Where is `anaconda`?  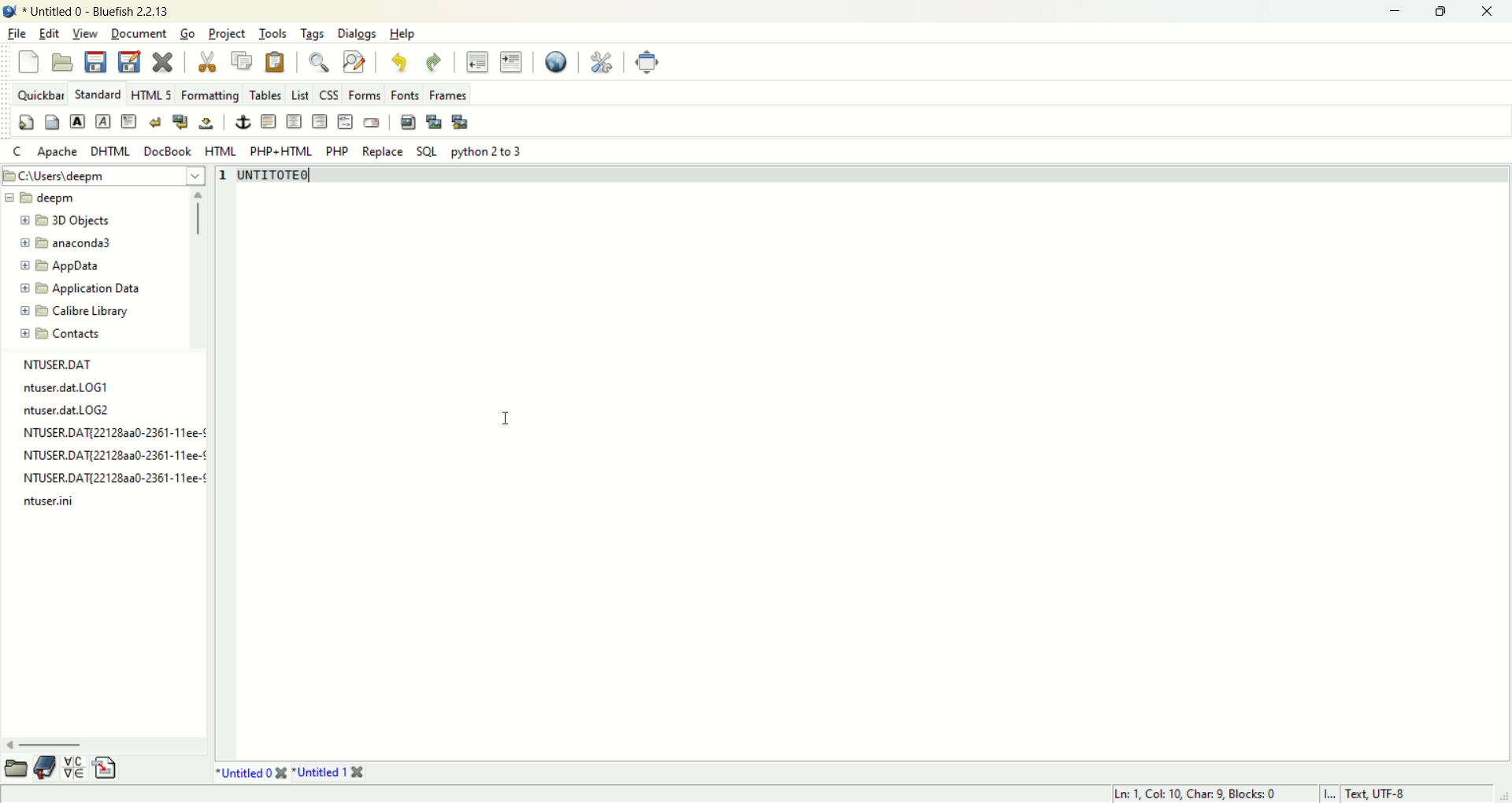 anaconda is located at coordinates (61, 244).